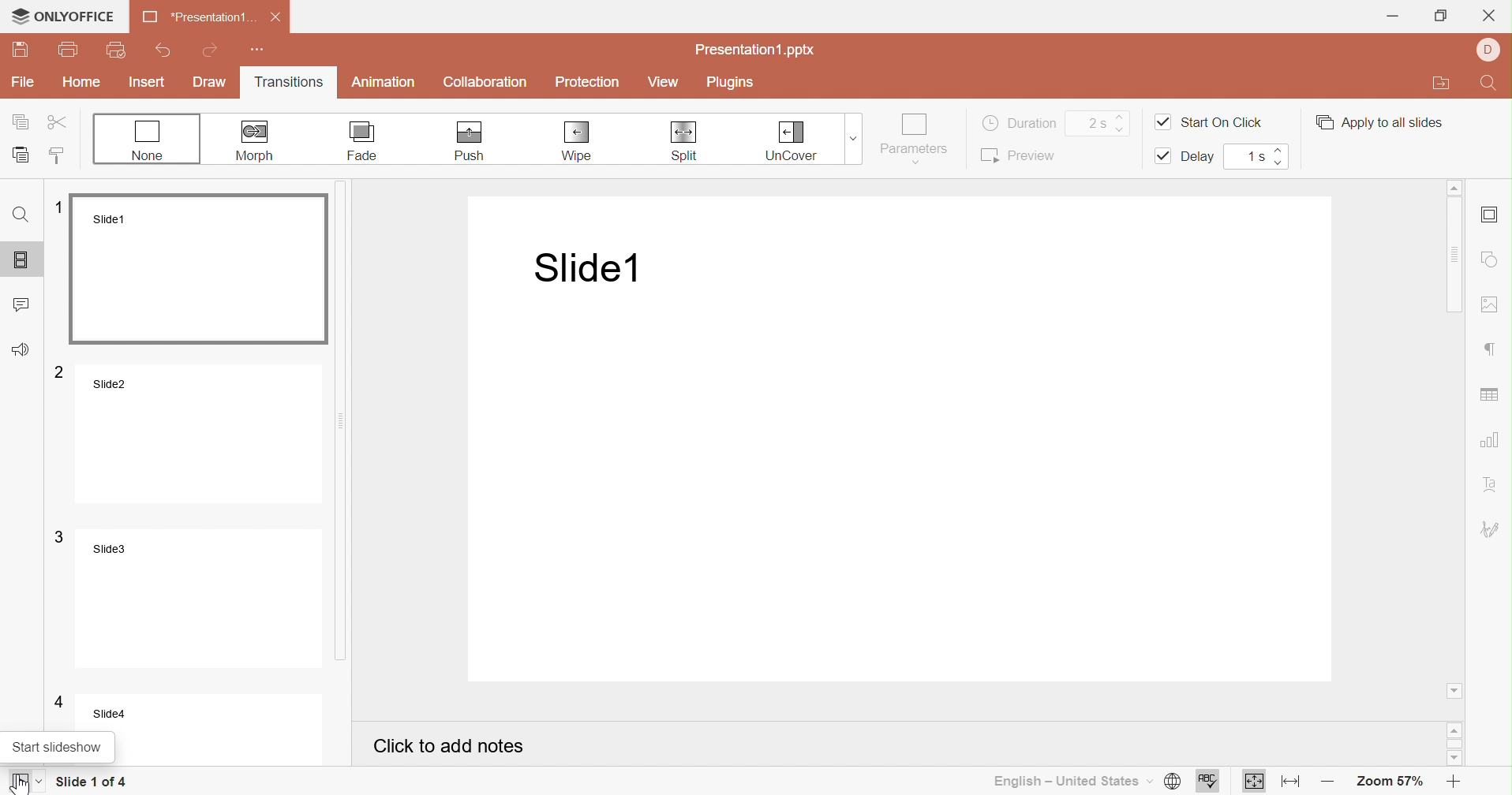 This screenshot has width=1512, height=795. What do you see at coordinates (62, 703) in the screenshot?
I see `4` at bounding box center [62, 703].